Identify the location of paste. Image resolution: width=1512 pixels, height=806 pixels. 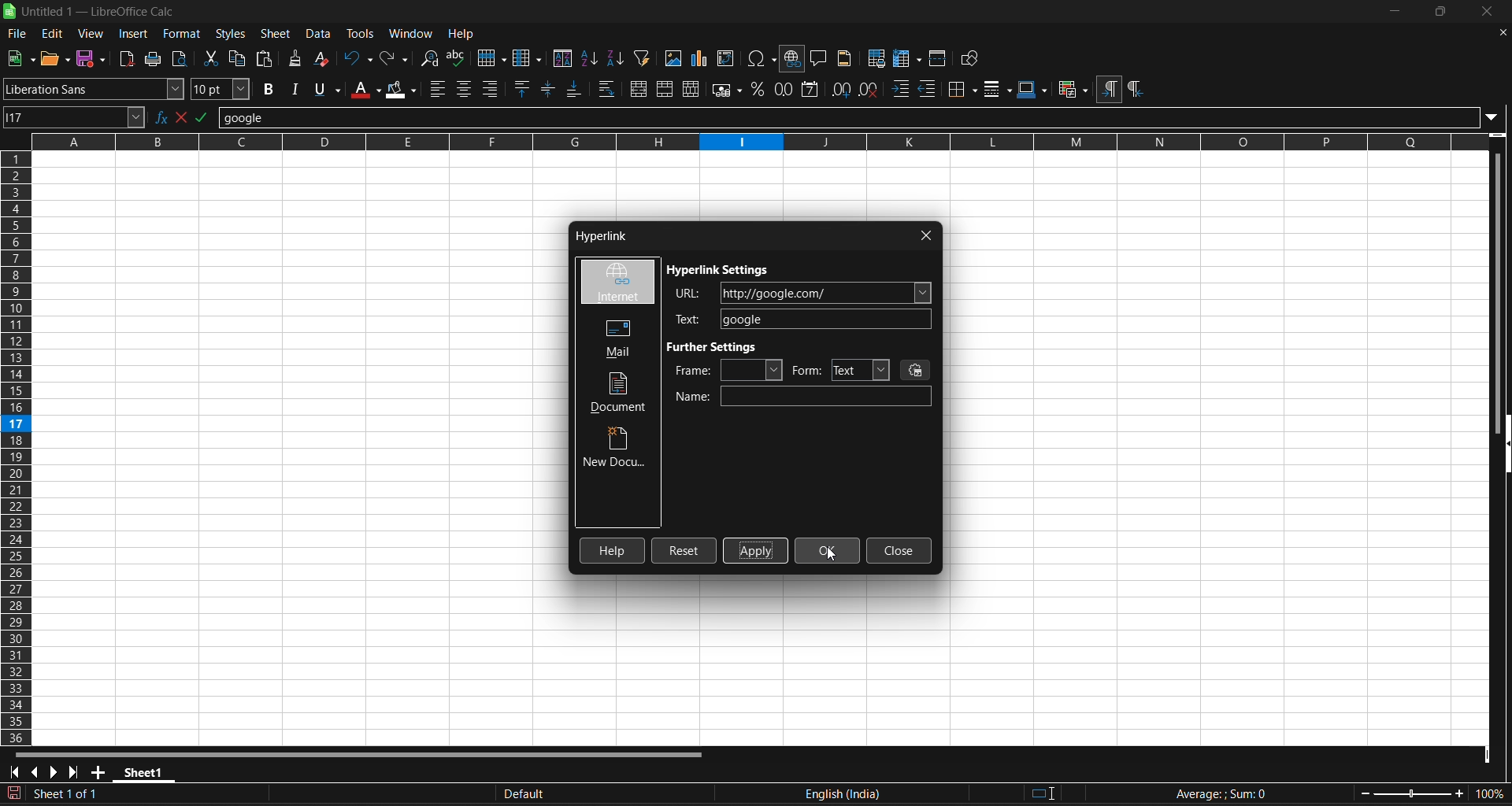
(265, 57).